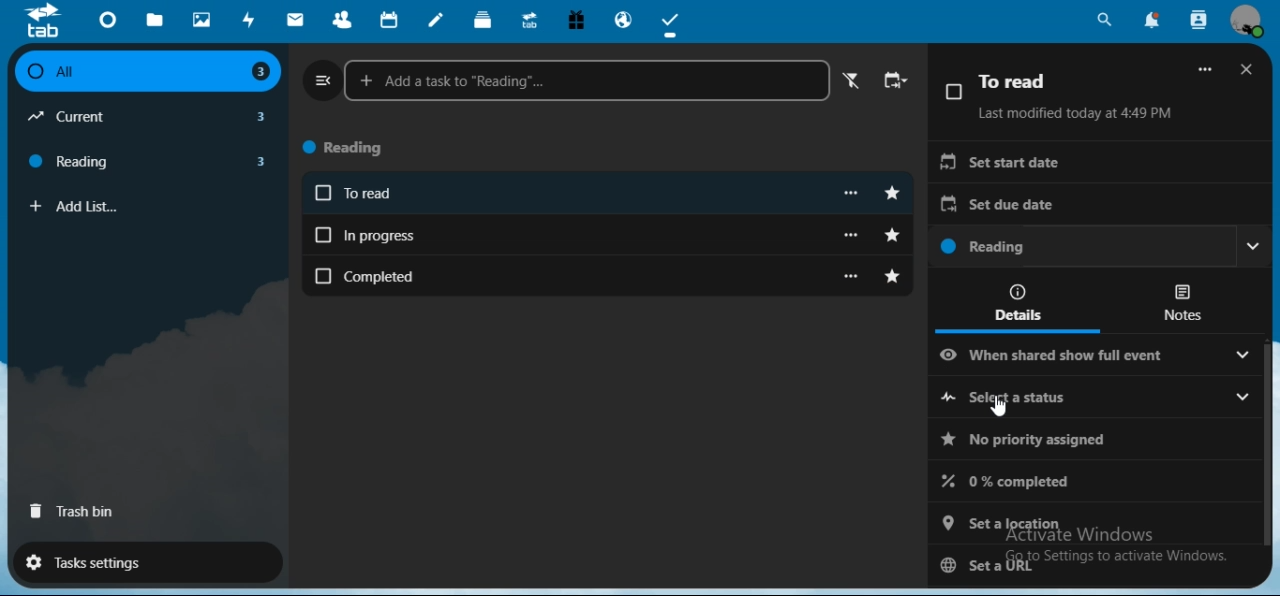 This screenshot has height=596, width=1280. I want to click on when shared show full event, so click(1065, 355).